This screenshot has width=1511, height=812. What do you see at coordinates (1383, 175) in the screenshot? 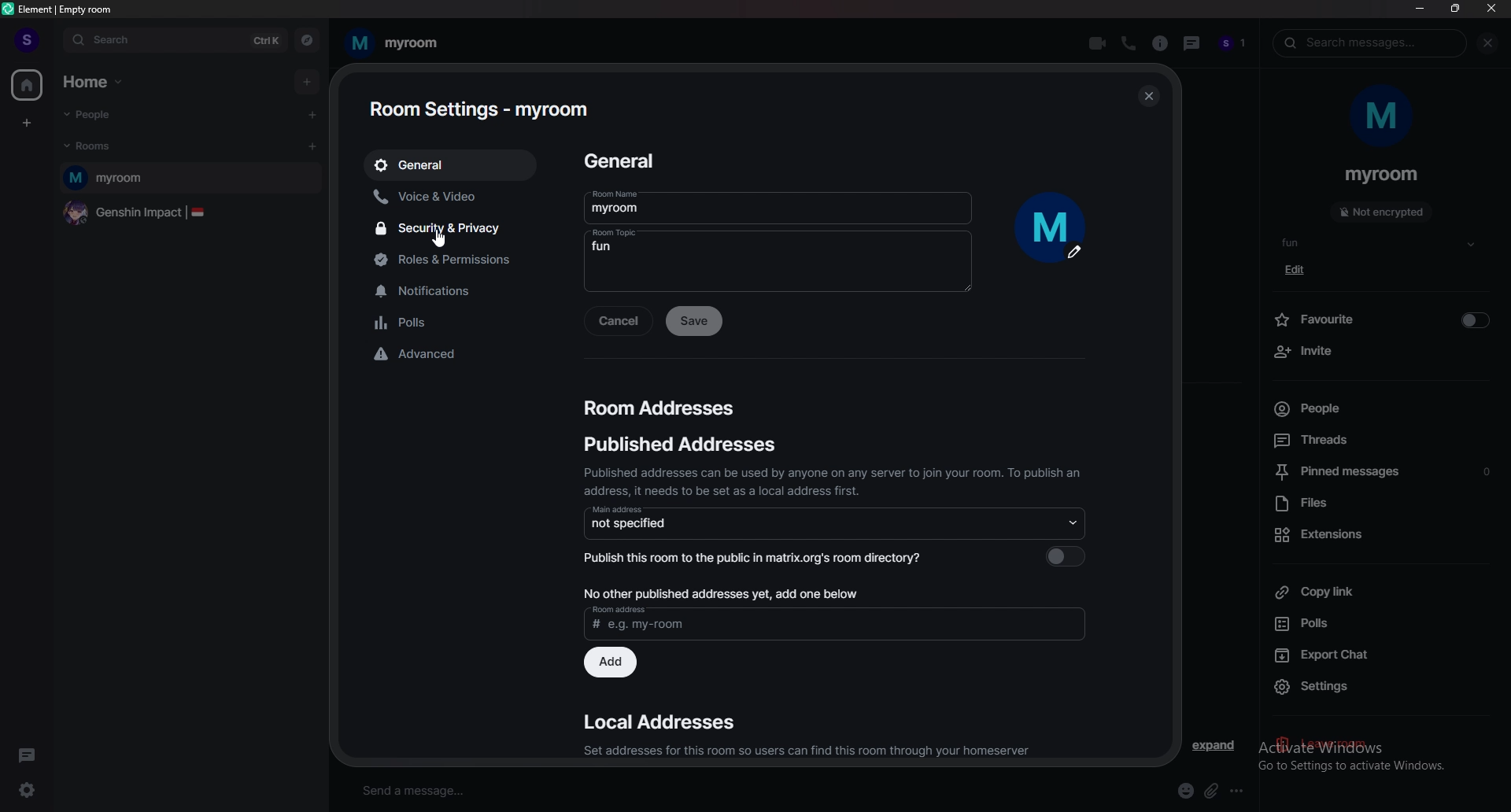
I see `myroom` at bounding box center [1383, 175].